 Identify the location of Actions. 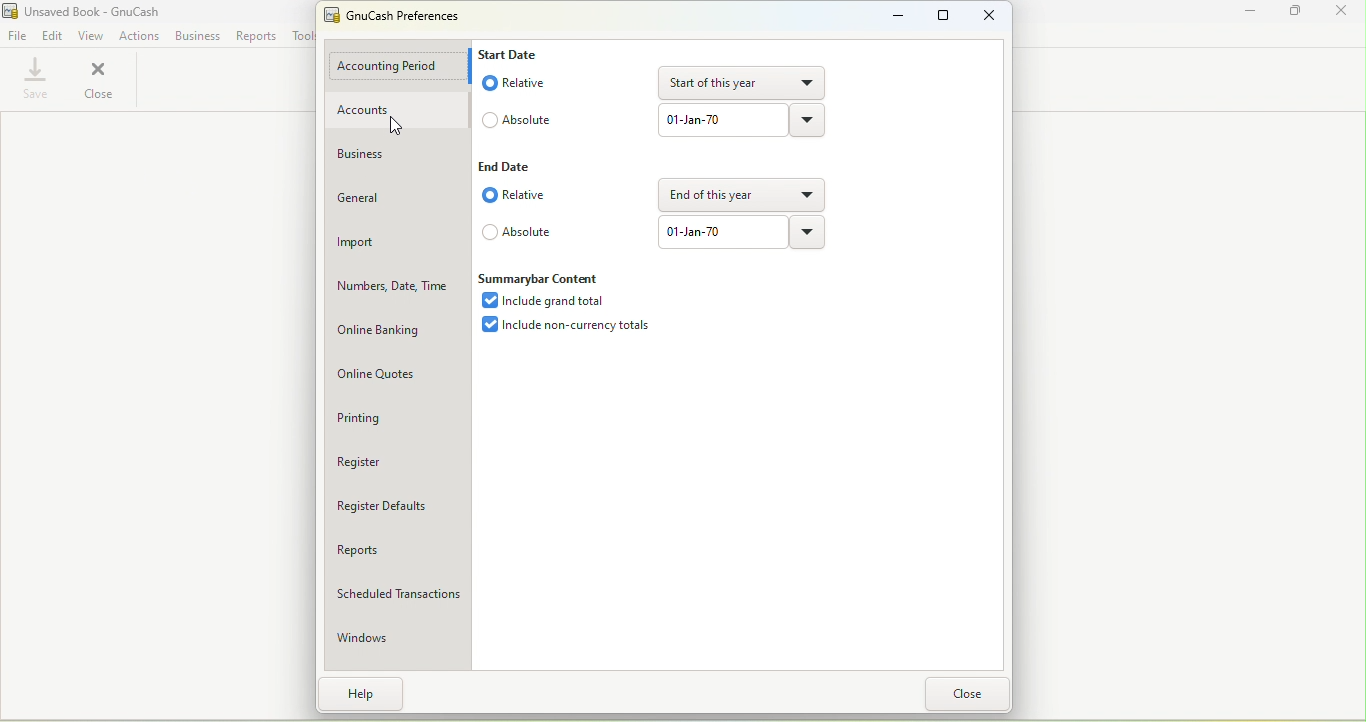
(139, 35).